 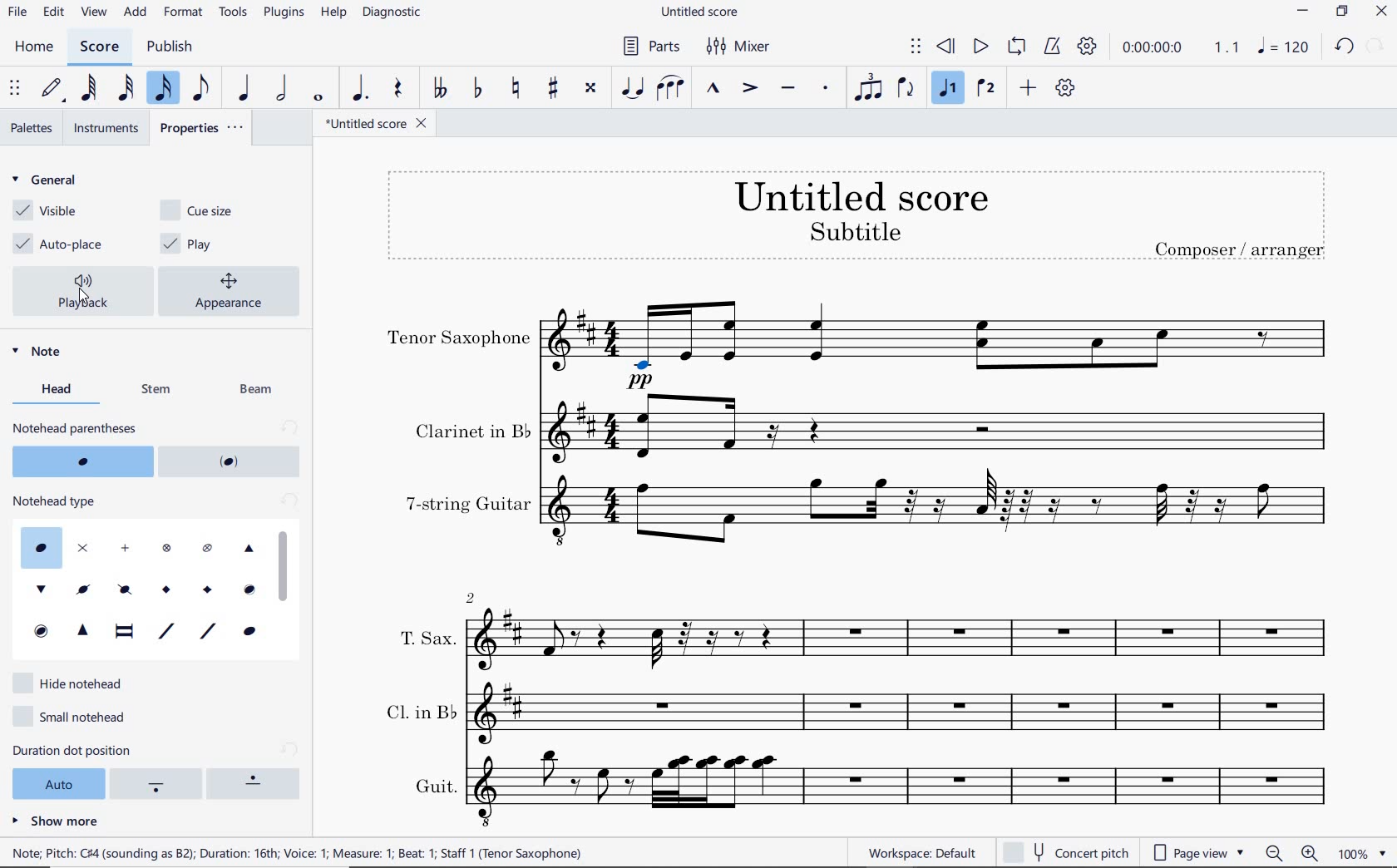 I want to click on reset, so click(x=291, y=749).